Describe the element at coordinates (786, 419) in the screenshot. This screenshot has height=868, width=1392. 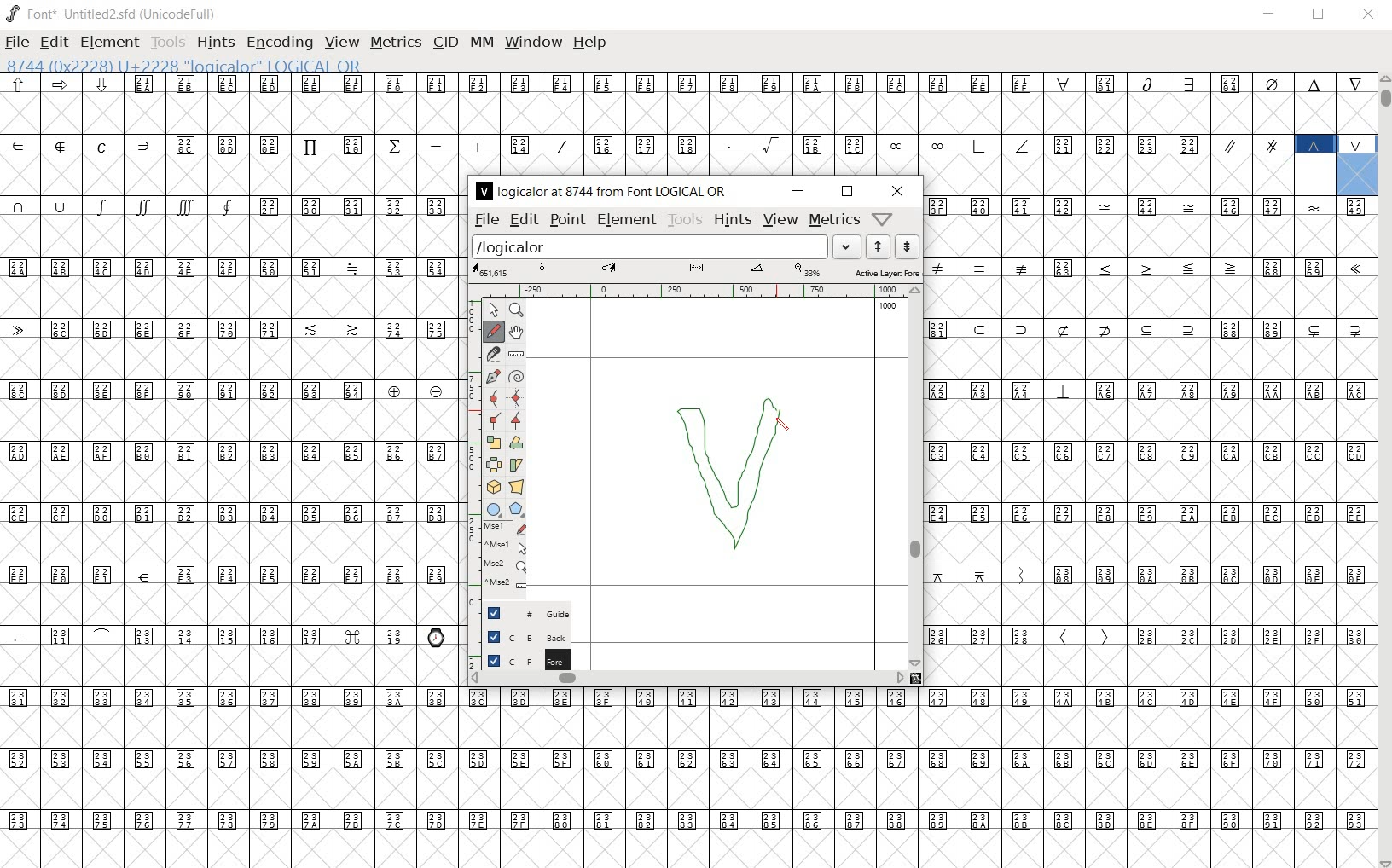
I see `pencil tool/cursor navigation` at that location.